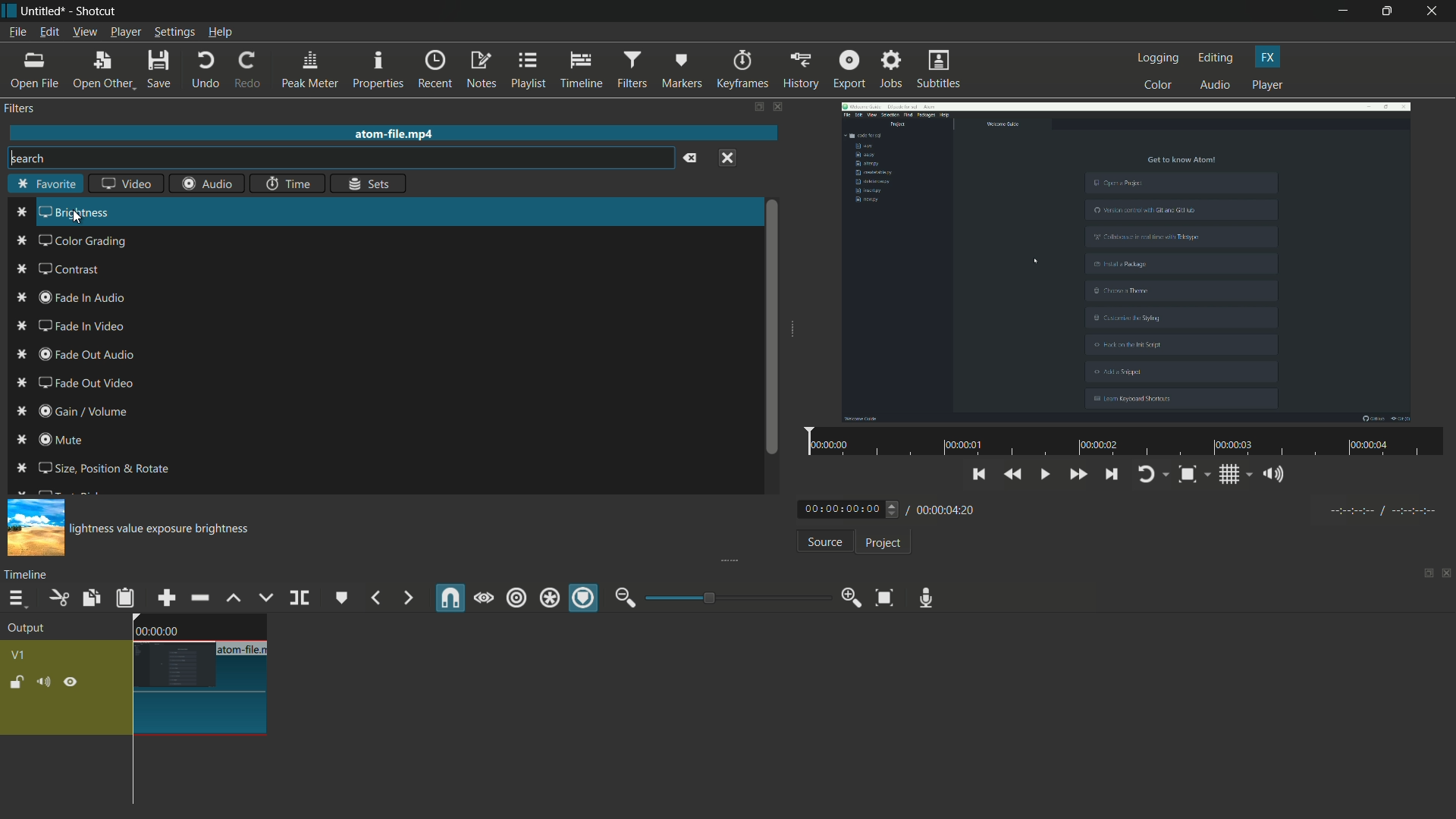 This screenshot has width=1456, height=819. What do you see at coordinates (378, 71) in the screenshot?
I see `properties` at bounding box center [378, 71].